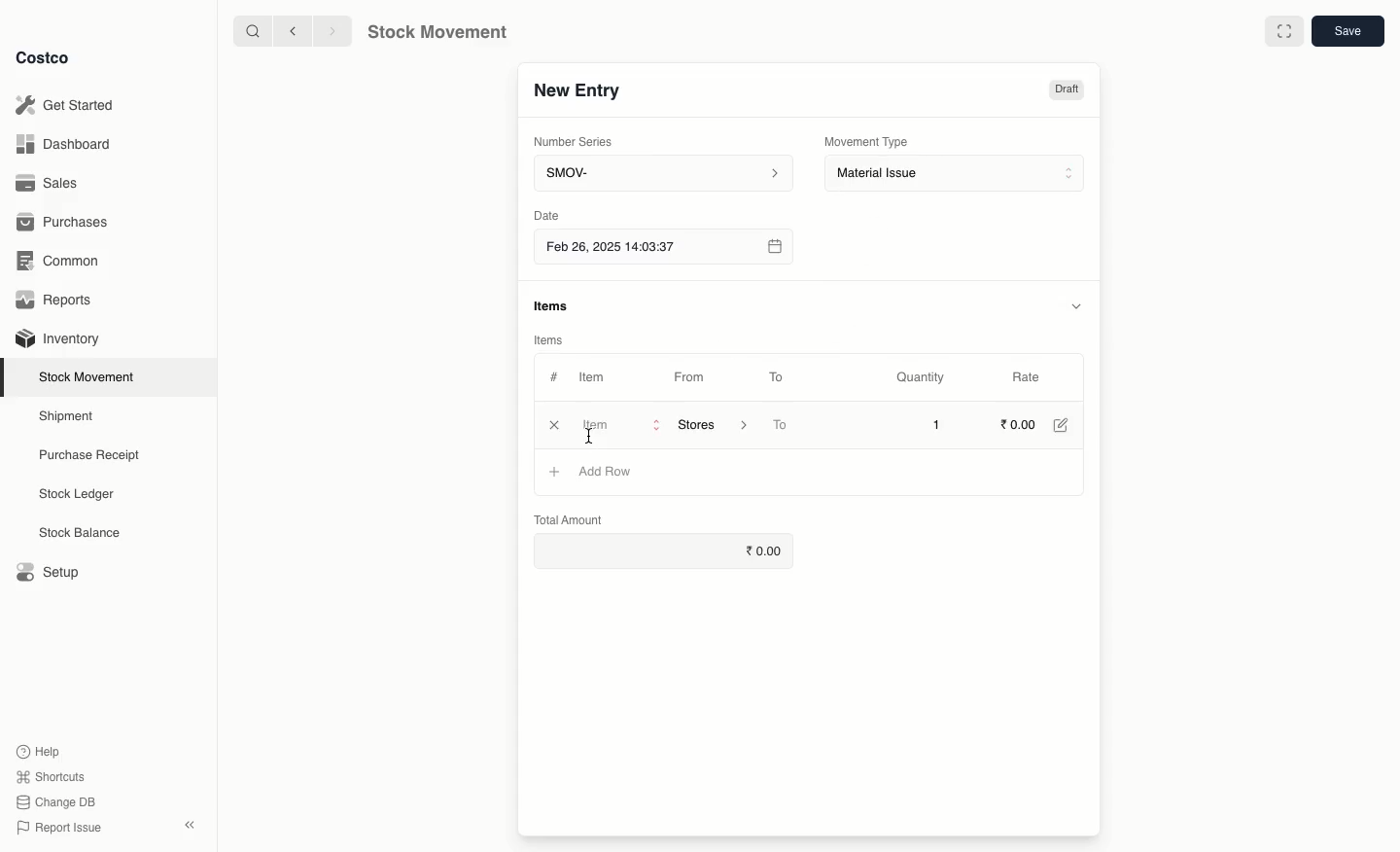  Describe the element at coordinates (58, 300) in the screenshot. I see `Reports` at that location.